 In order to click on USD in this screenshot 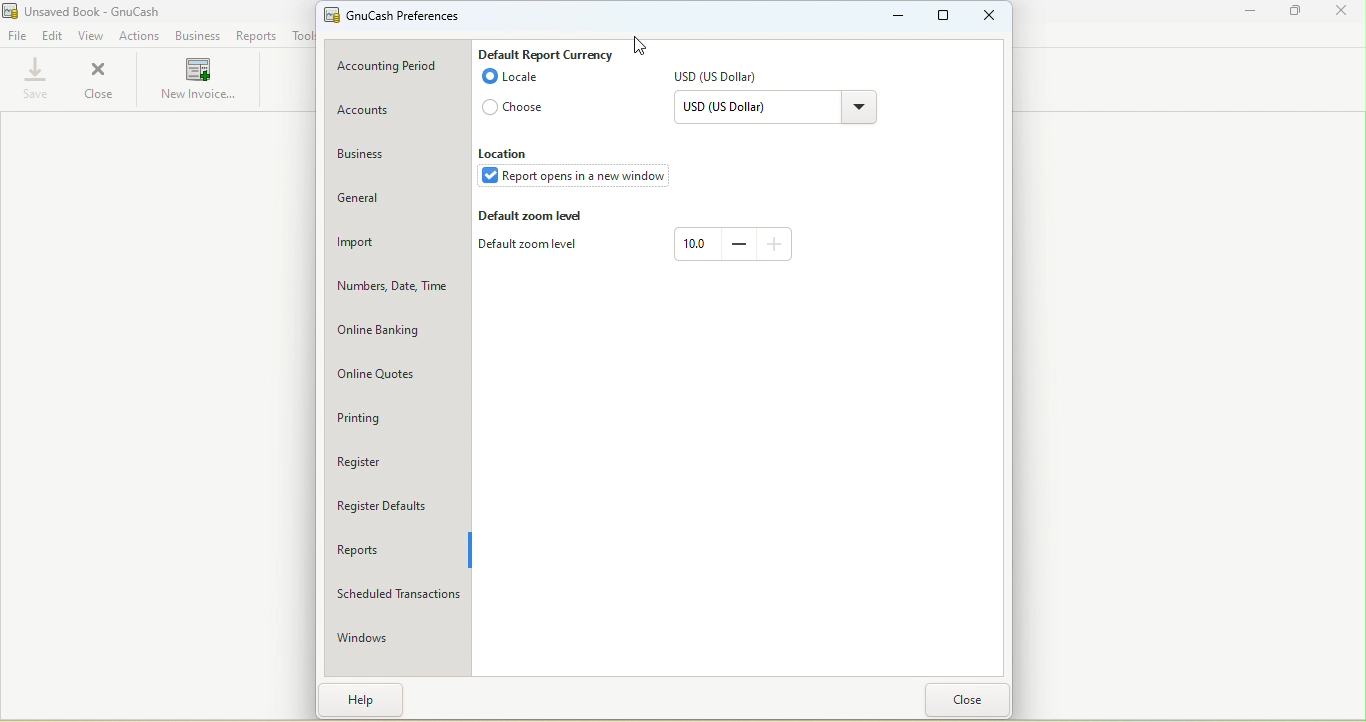, I will do `click(722, 79)`.